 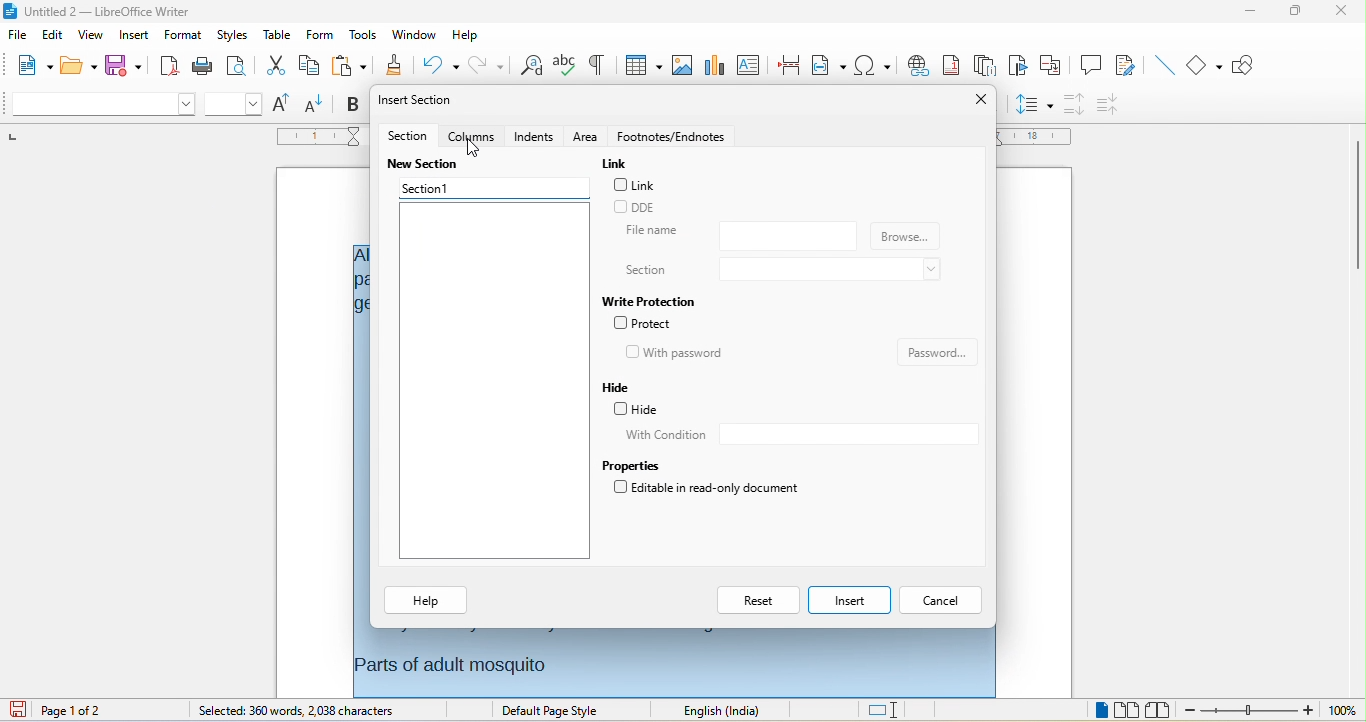 What do you see at coordinates (636, 466) in the screenshot?
I see `properties` at bounding box center [636, 466].